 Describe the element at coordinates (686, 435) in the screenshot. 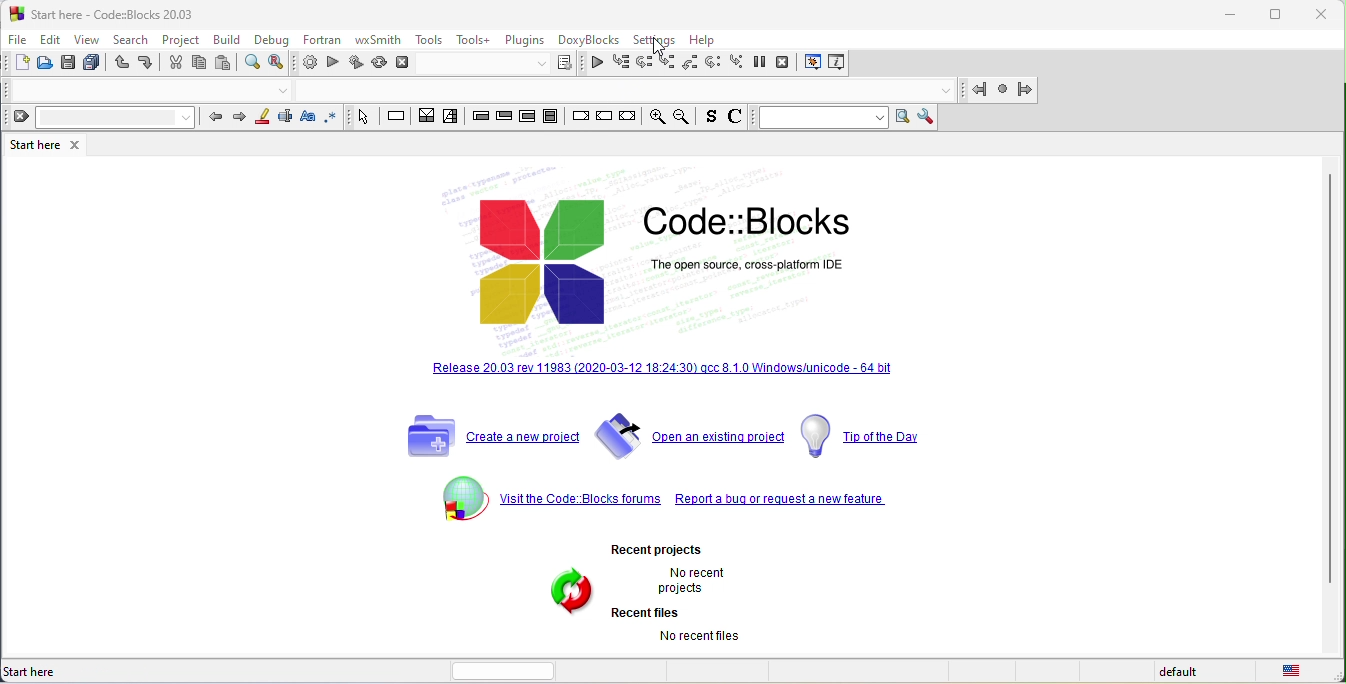

I see `open an existing project` at that location.